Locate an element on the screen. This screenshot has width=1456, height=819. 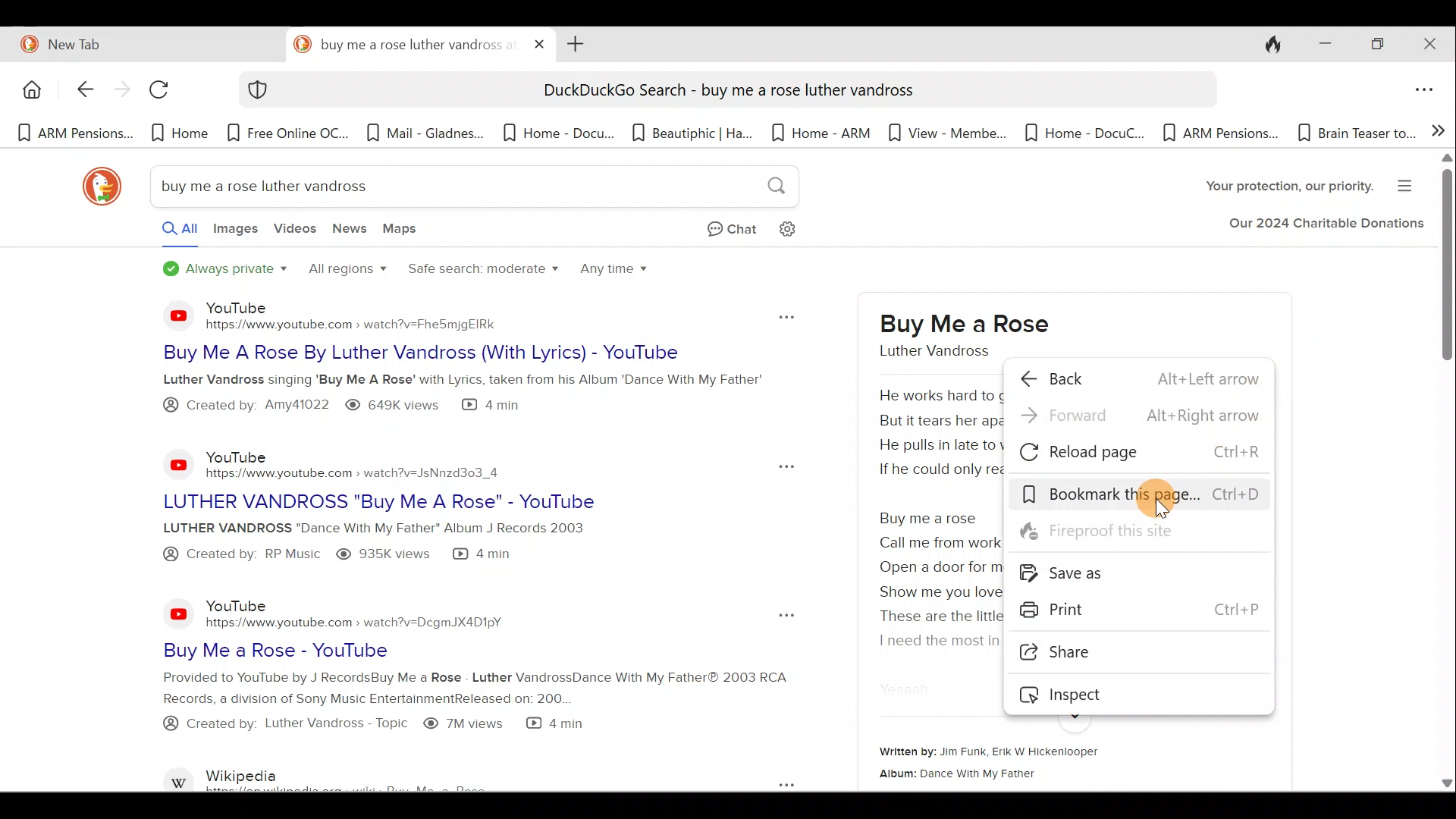
Provided to YouTube by J RecordsBuy Me a Rose - Luther VandrossDance With My Father® 2003 RCA
Records, a division of Sony Music EntertainmentReleased on: 200.
@ Created by: Luther Vandross - Topic ® 7Mviews (& 4 min is located at coordinates (434, 711).